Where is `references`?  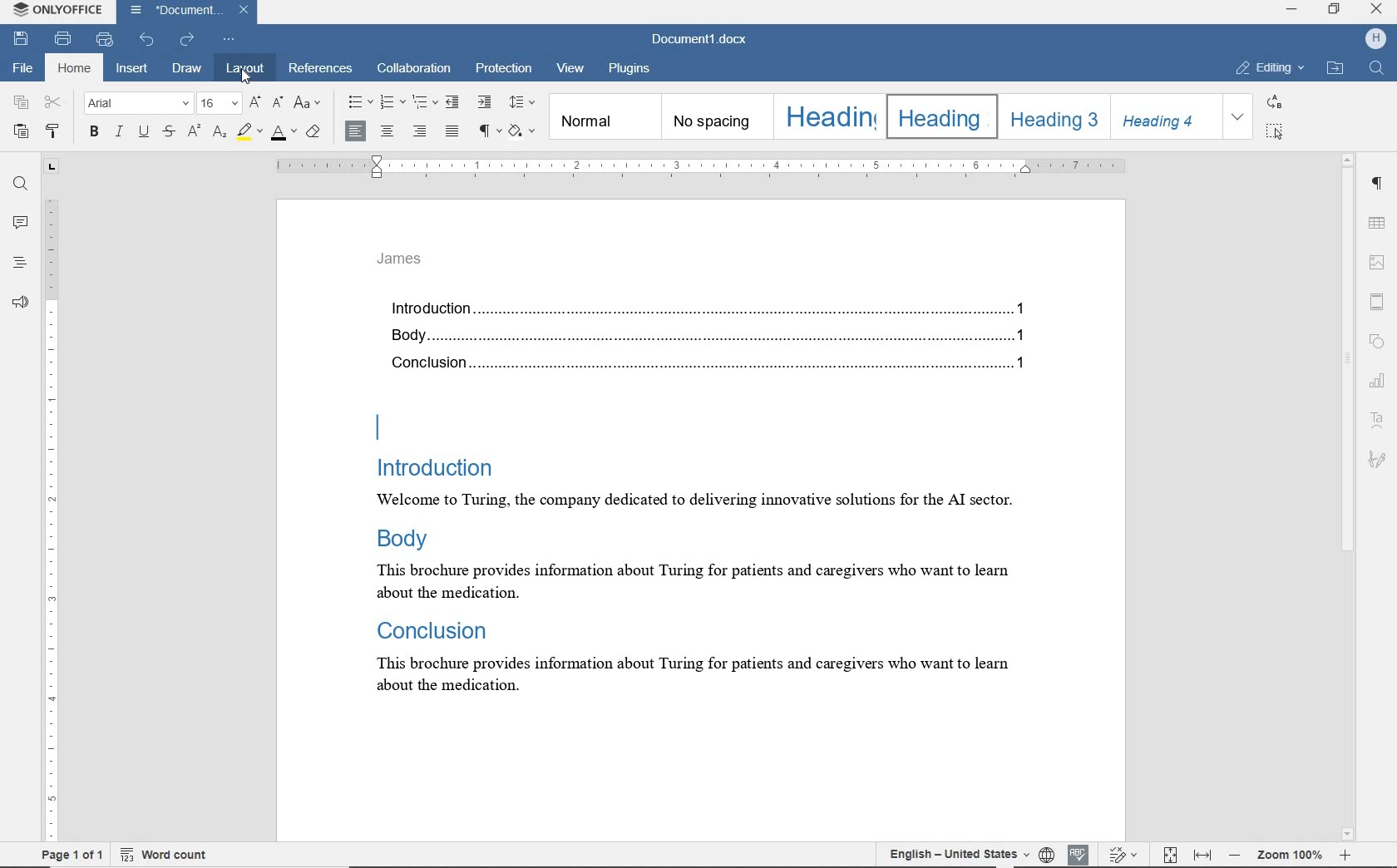
references is located at coordinates (321, 70).